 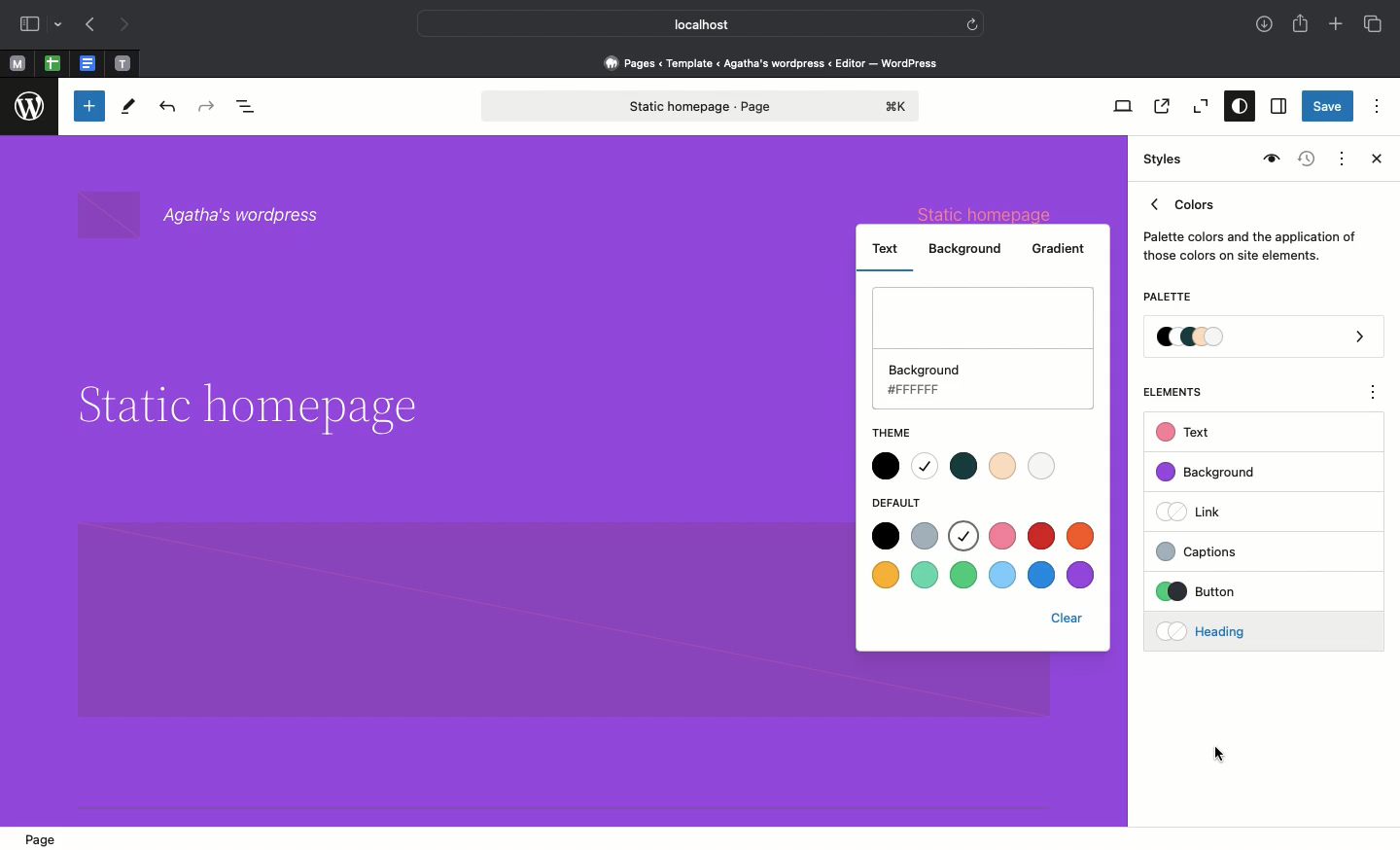 What do you see at coordinates (906, 503) in the screenshot?
I see `Default` at bounding box center [906, 503].